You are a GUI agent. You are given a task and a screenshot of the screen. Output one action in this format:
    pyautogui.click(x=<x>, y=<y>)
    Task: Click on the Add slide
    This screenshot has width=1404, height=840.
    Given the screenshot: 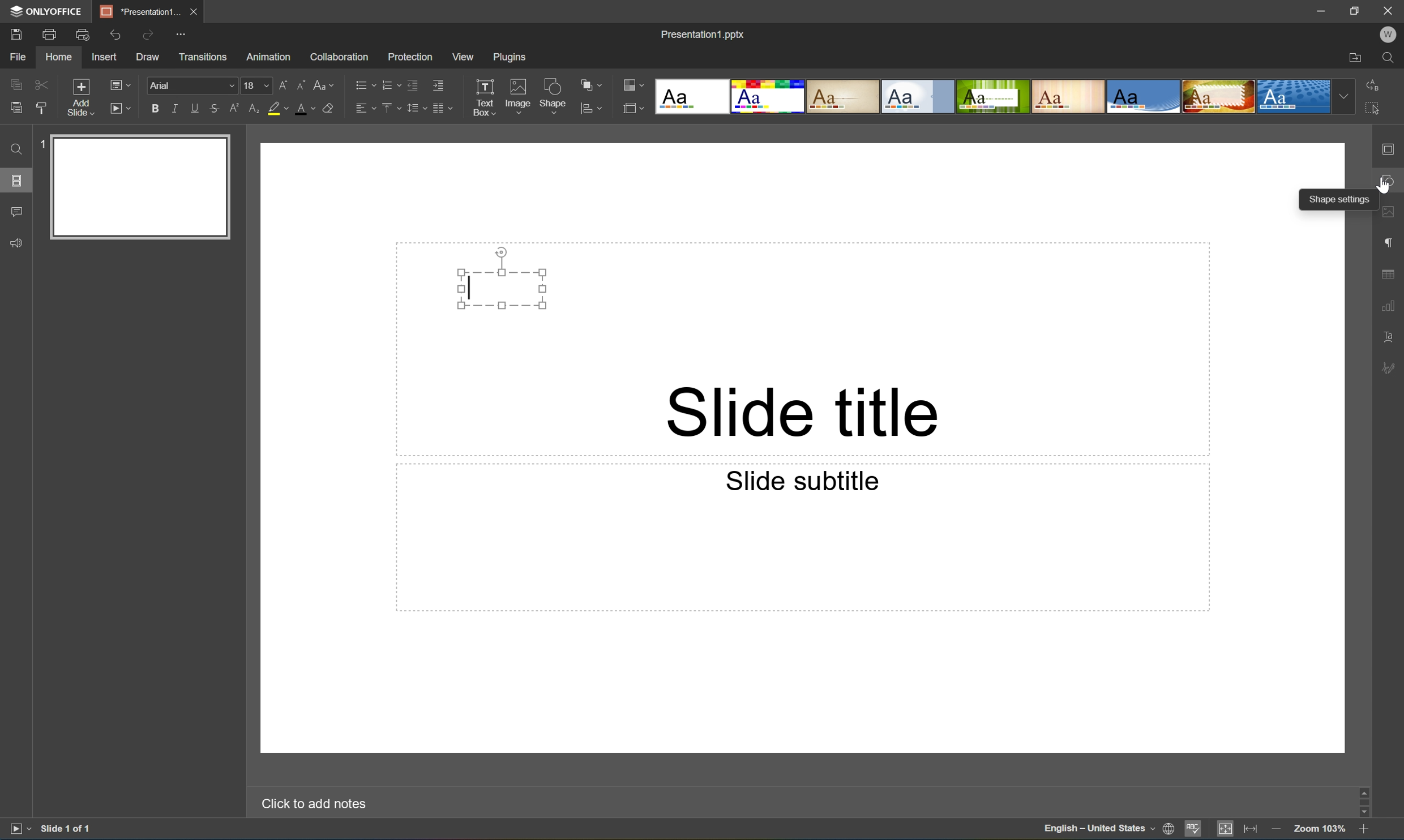 What is the action you would take?
    pyautogui.click(x=78, y=98)
    